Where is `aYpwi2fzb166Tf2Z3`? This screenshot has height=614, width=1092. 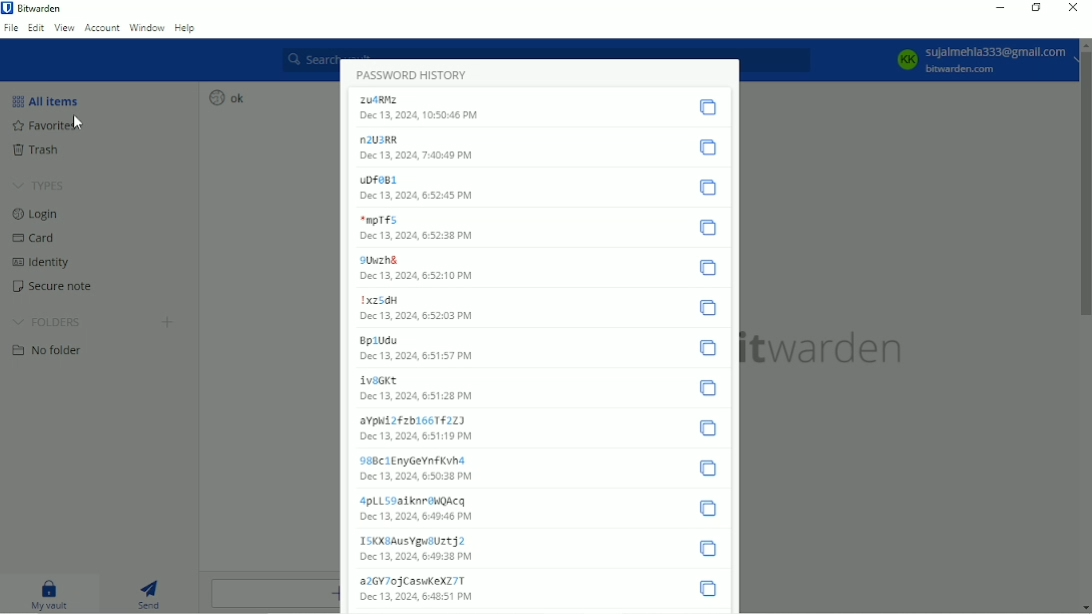 aYpwi2fzb166Tf2Z3 is located at coordinates (410, 419).